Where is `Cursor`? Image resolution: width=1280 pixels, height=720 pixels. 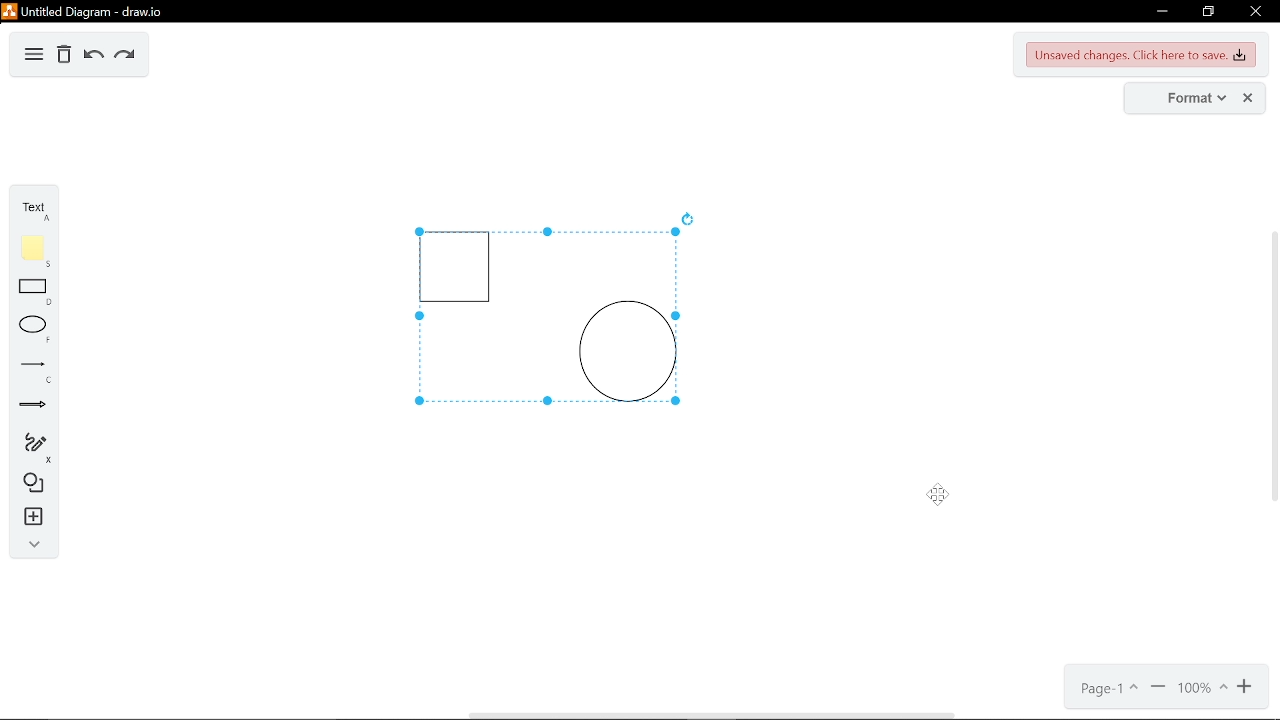 Cursor is located at coordinates (946, 497).